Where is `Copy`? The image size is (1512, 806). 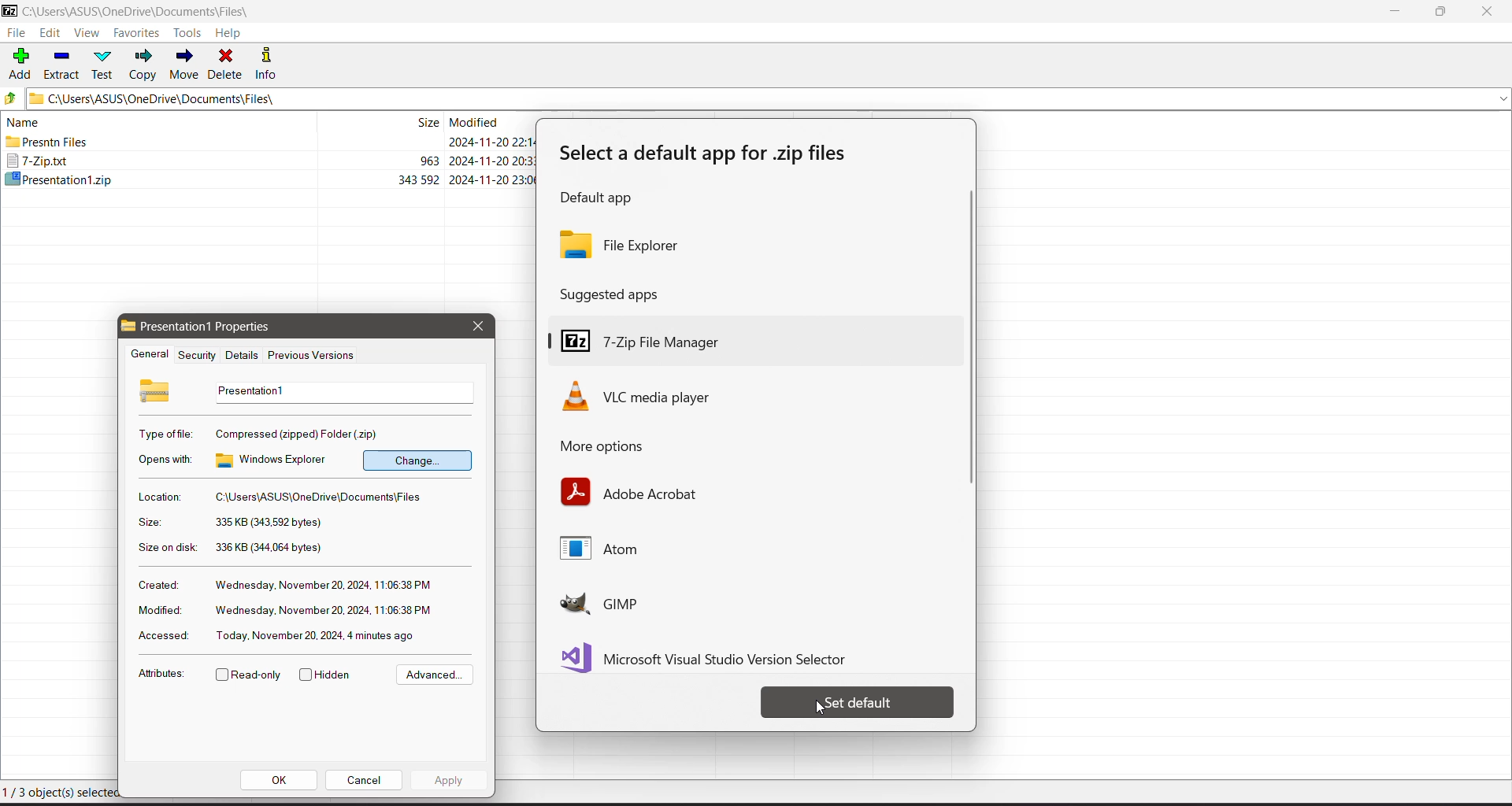 Copy is located at coordinates (144, 65).